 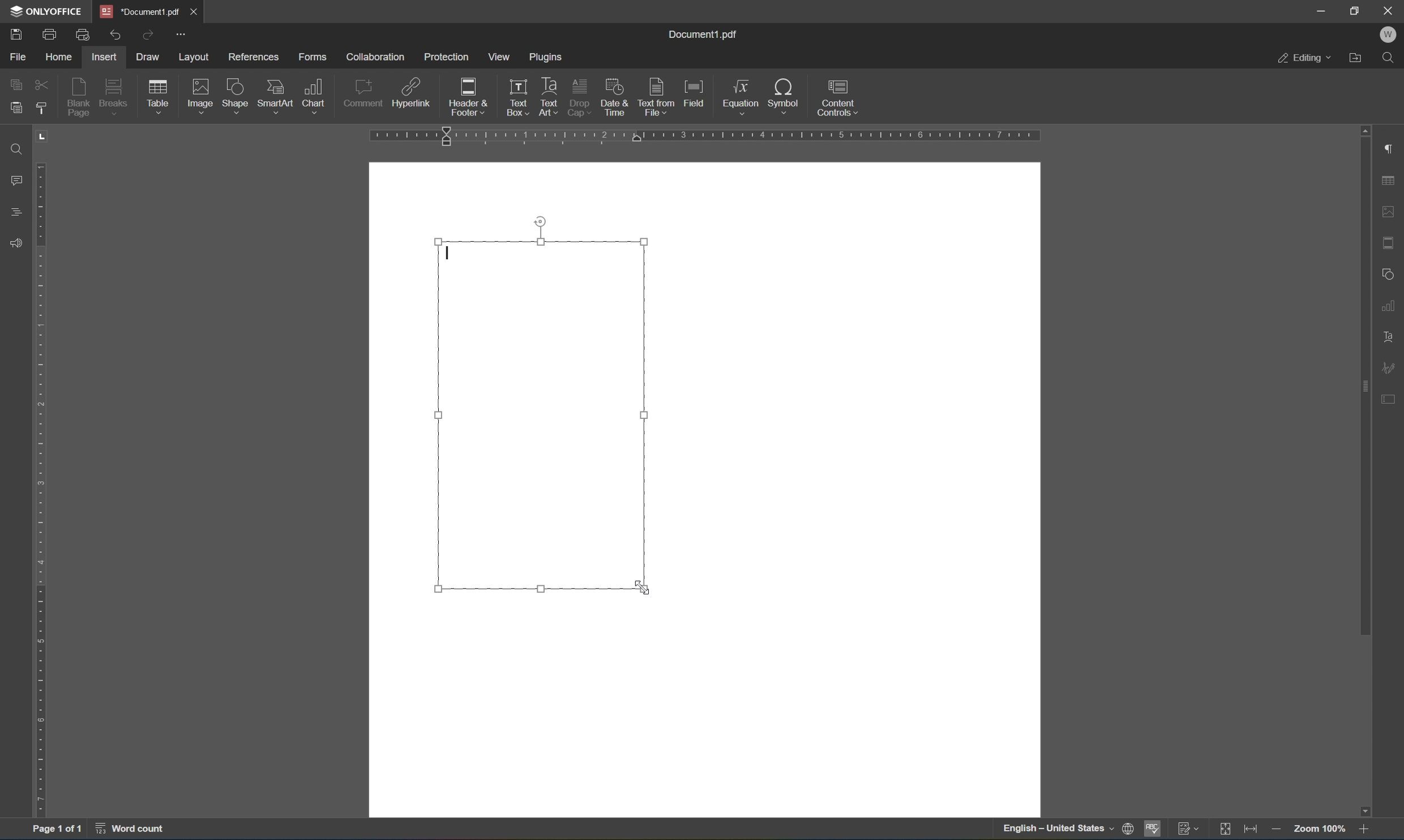 I want to click on set document language, so click(x=1129, y=828).